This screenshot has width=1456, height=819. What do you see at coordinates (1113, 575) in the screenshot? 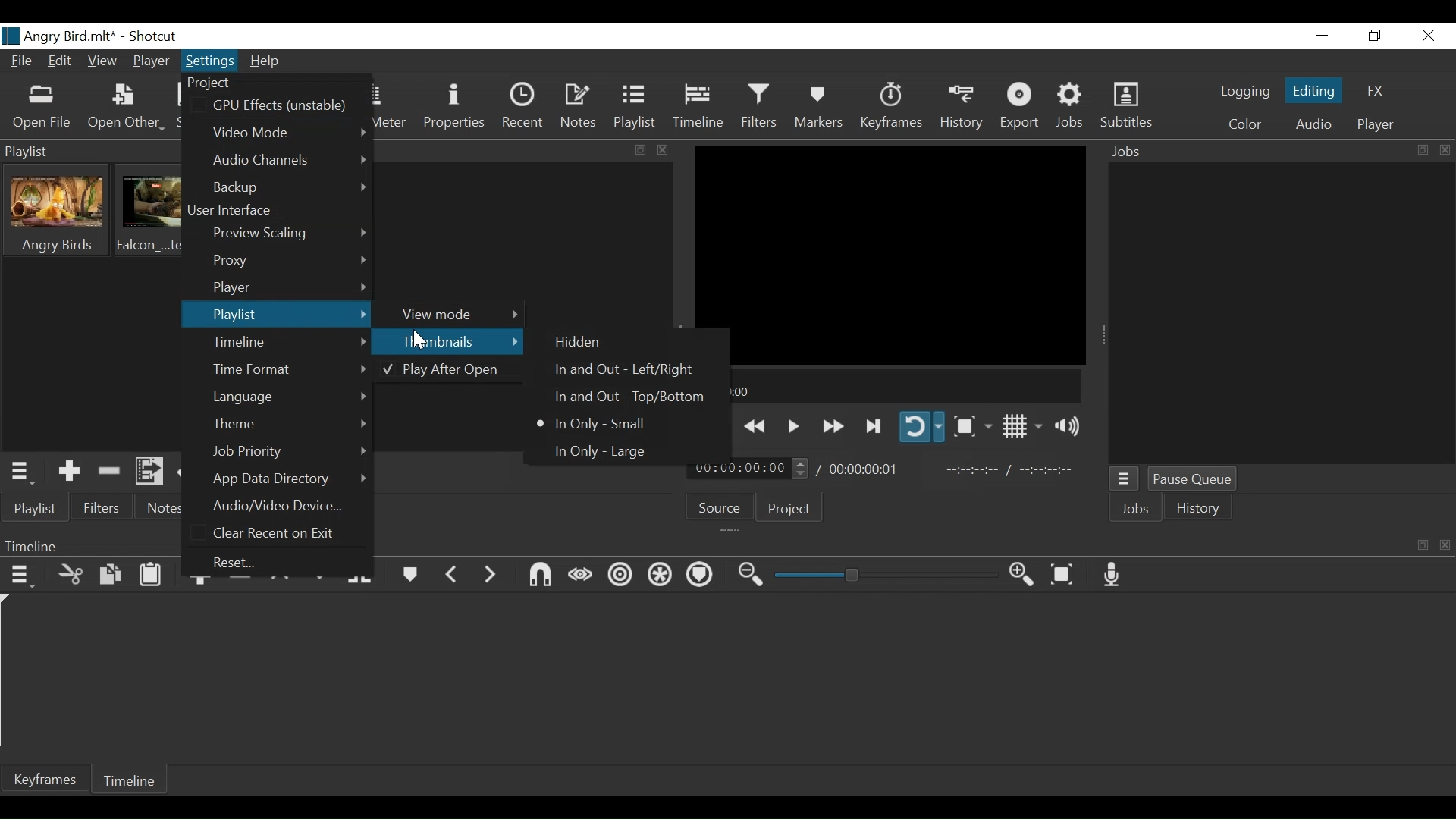
I see `Record Audio` at bounding box center [1113, 575].